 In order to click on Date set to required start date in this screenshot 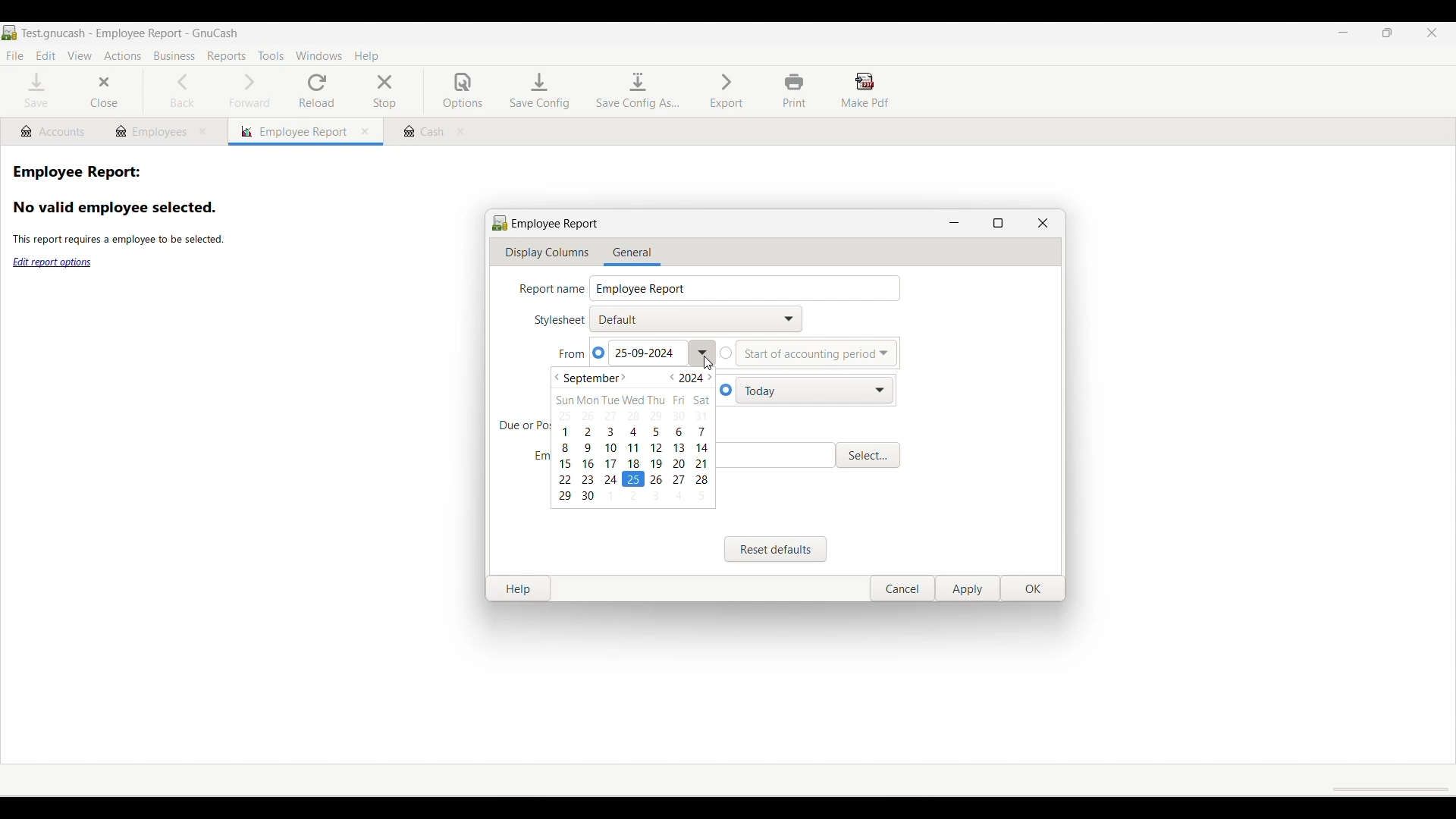, I will do `click(644, 353)`.